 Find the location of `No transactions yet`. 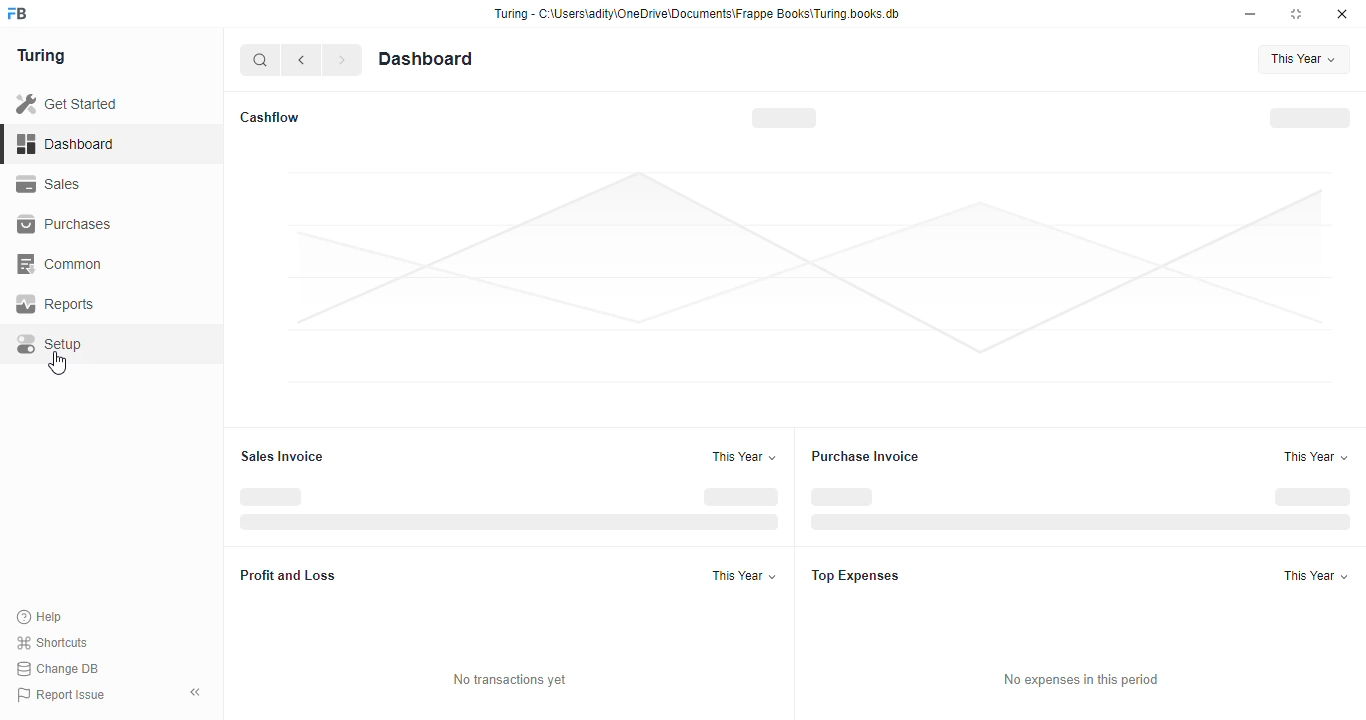

No transactions yet is located at coordinates (515, 681).